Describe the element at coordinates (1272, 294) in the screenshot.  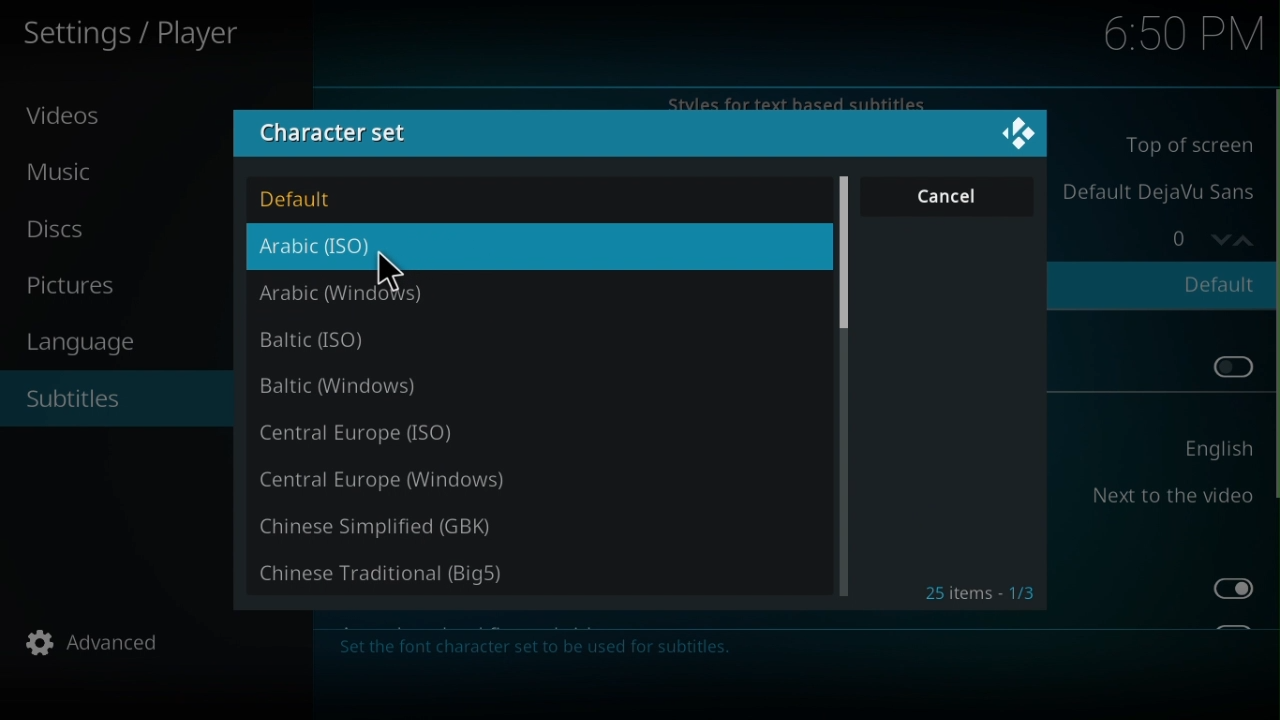
I see `Scroll bar` at that location.